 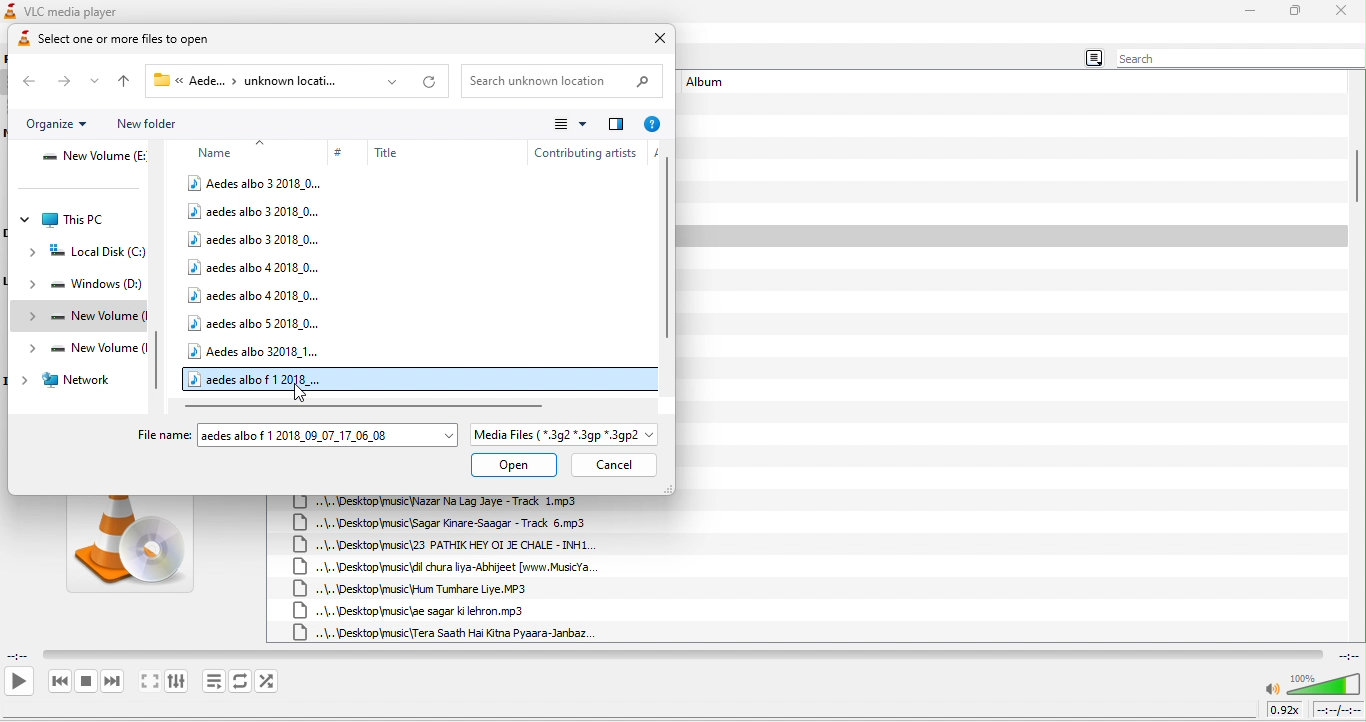 I want to click on view, so click(x=567, y=124).